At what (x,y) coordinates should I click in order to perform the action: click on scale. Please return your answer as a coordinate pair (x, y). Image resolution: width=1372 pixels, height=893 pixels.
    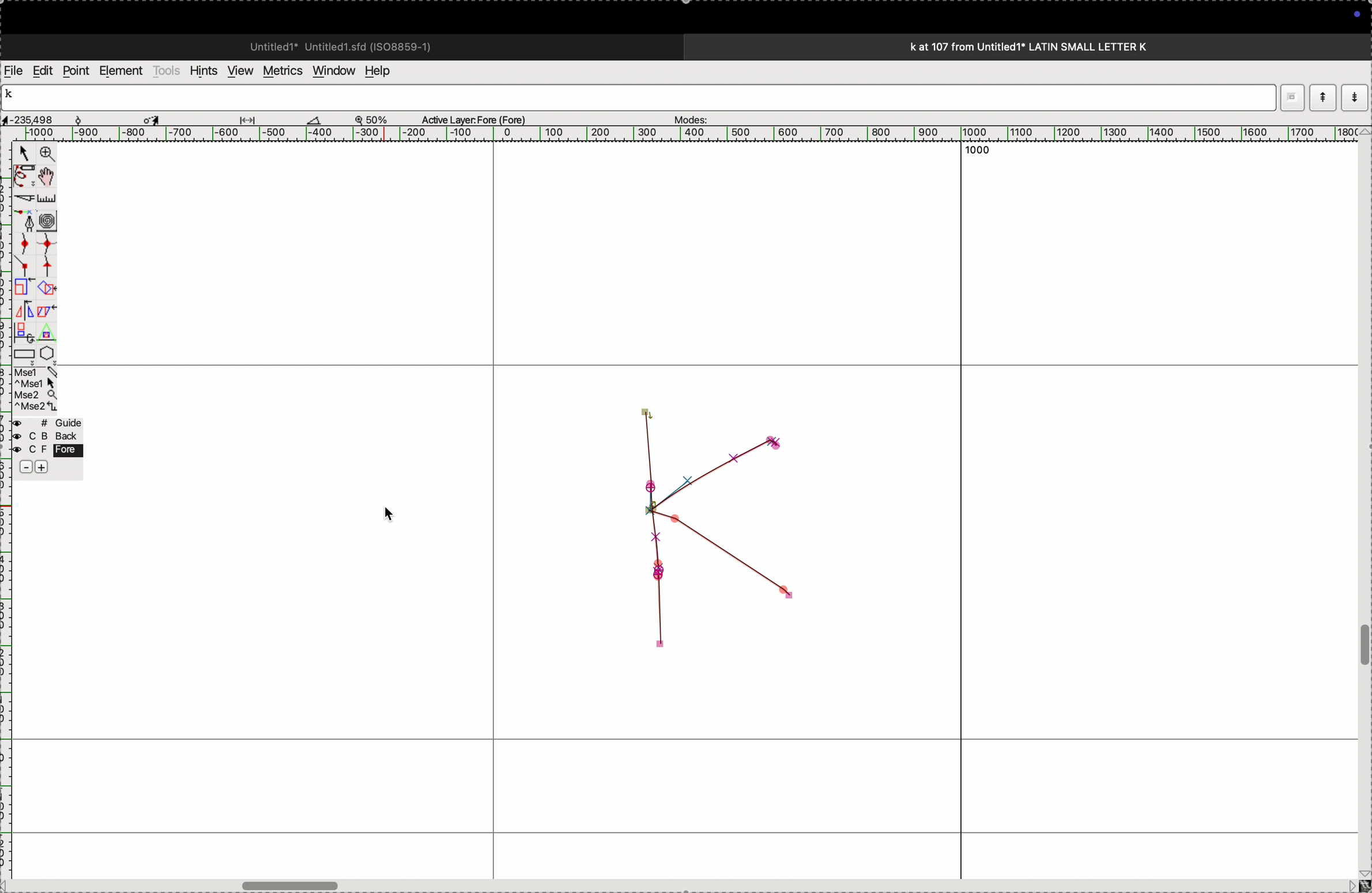
    Looking at the image, I should click on (49, 198).